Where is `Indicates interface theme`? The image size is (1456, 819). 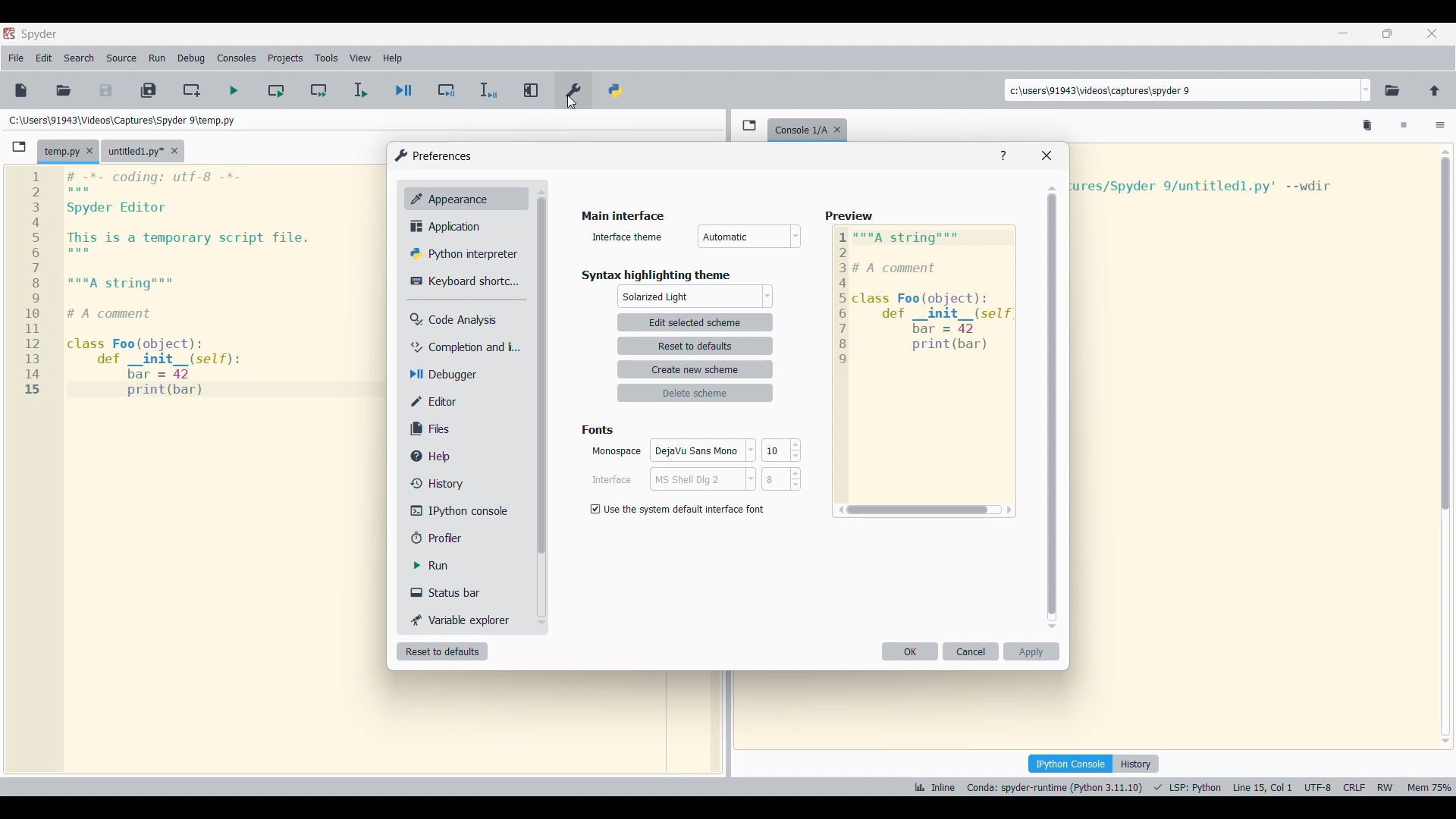 Indicates interface theme is located at coordinates (627, 237).